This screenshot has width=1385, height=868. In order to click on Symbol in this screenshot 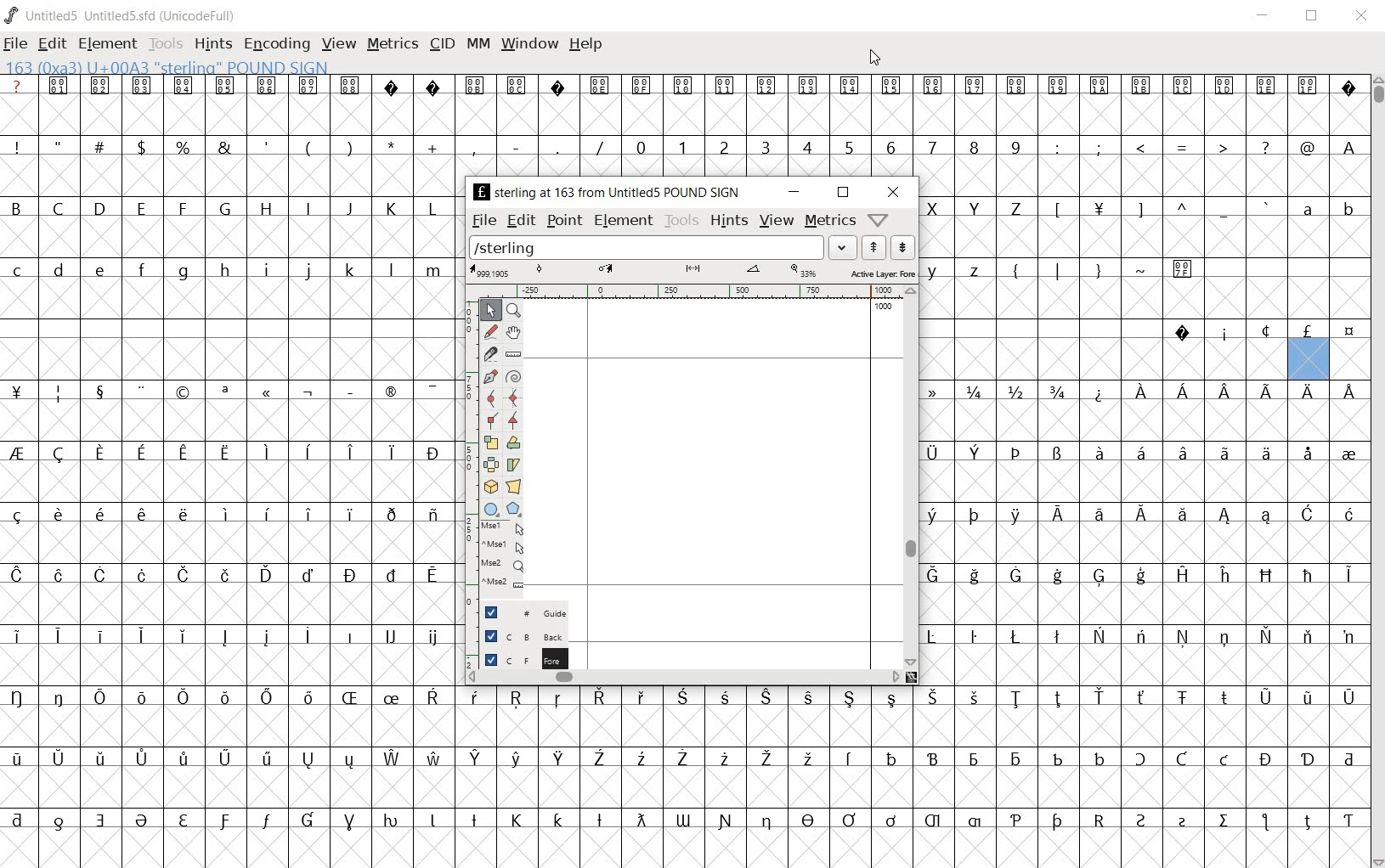, I will do `click(432, 638)`.